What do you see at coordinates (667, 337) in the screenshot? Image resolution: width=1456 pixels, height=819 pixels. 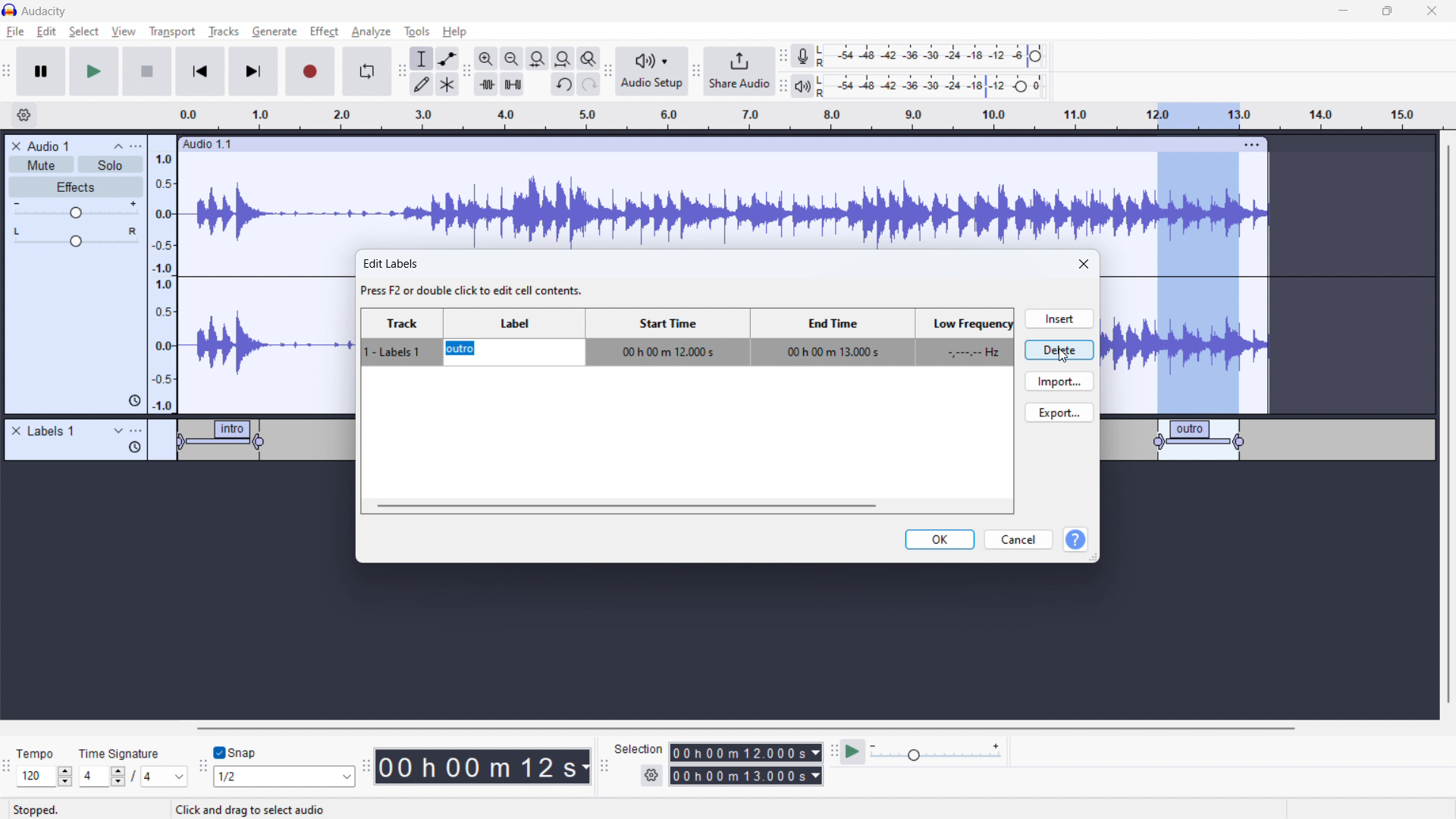 I see `start time` at bounding box center [667, 337].